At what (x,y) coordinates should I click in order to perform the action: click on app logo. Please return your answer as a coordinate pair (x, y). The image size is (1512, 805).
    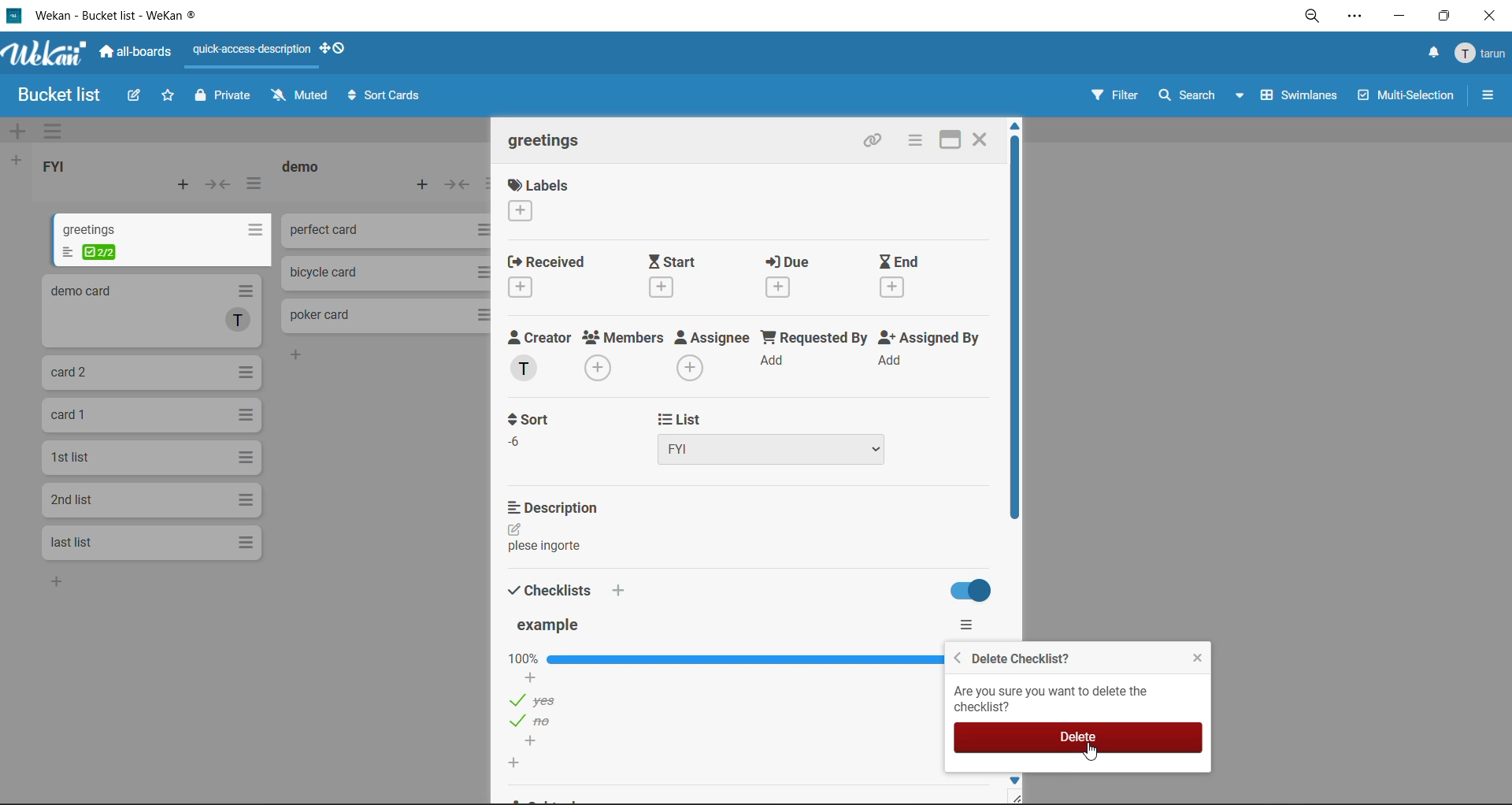
    Looking at the image, I should click on (47, 57).